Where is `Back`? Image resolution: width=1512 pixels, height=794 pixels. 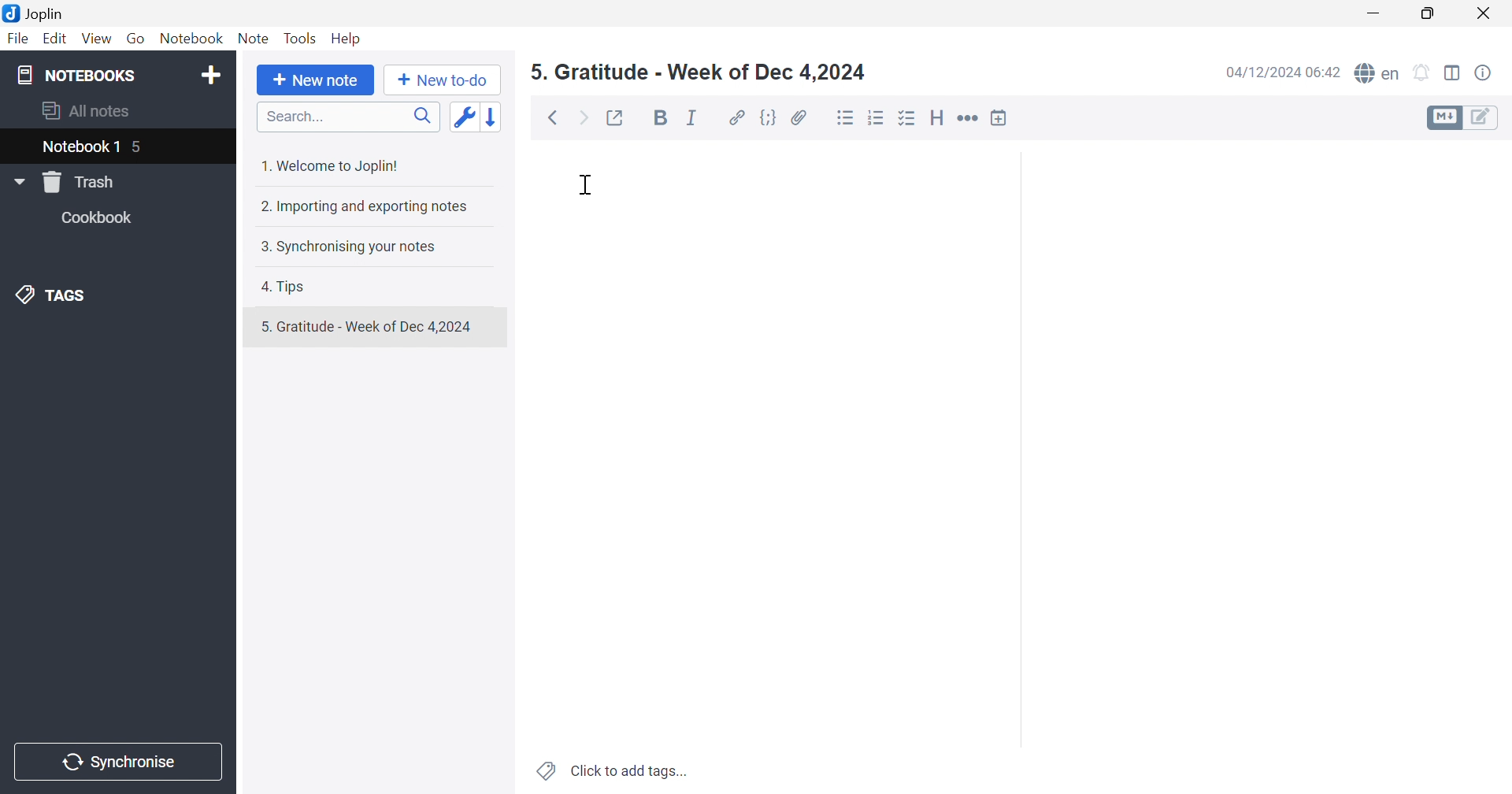
Back is located at coordinates (551, 118).